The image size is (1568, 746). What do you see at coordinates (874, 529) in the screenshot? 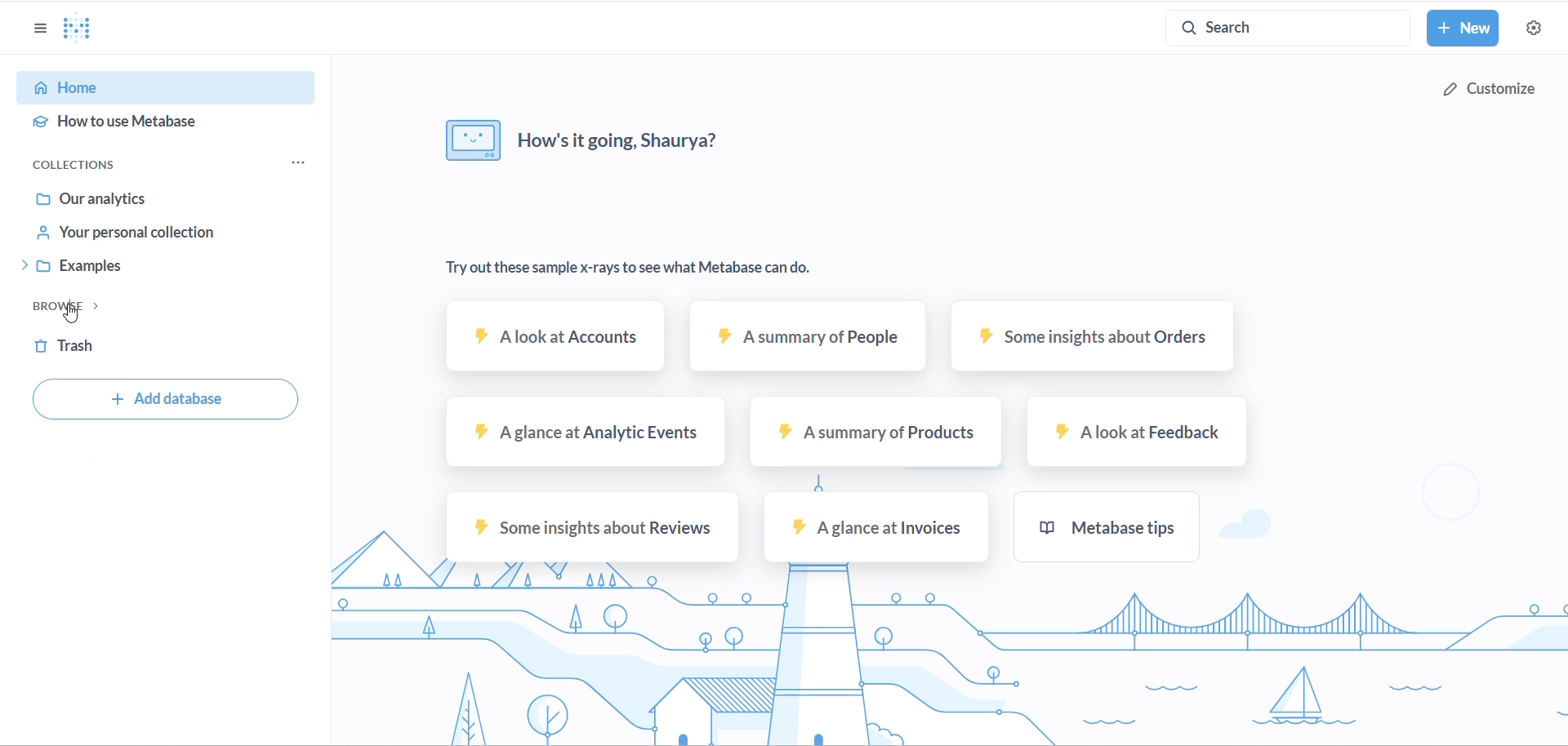
I see `A glance at invoices sample` at bounding box center [874, 529].